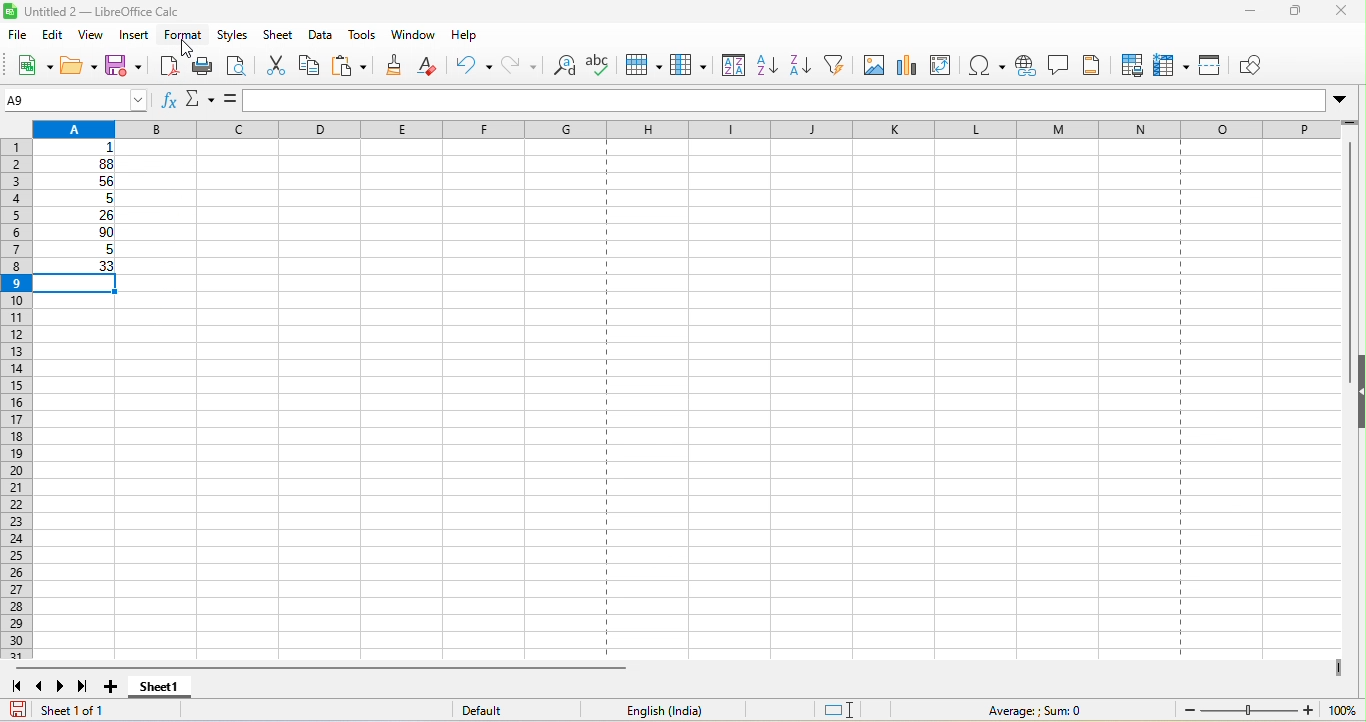 The height and width of the screenshot is (722, 1366). I want to click on 90, so click(78, 234).